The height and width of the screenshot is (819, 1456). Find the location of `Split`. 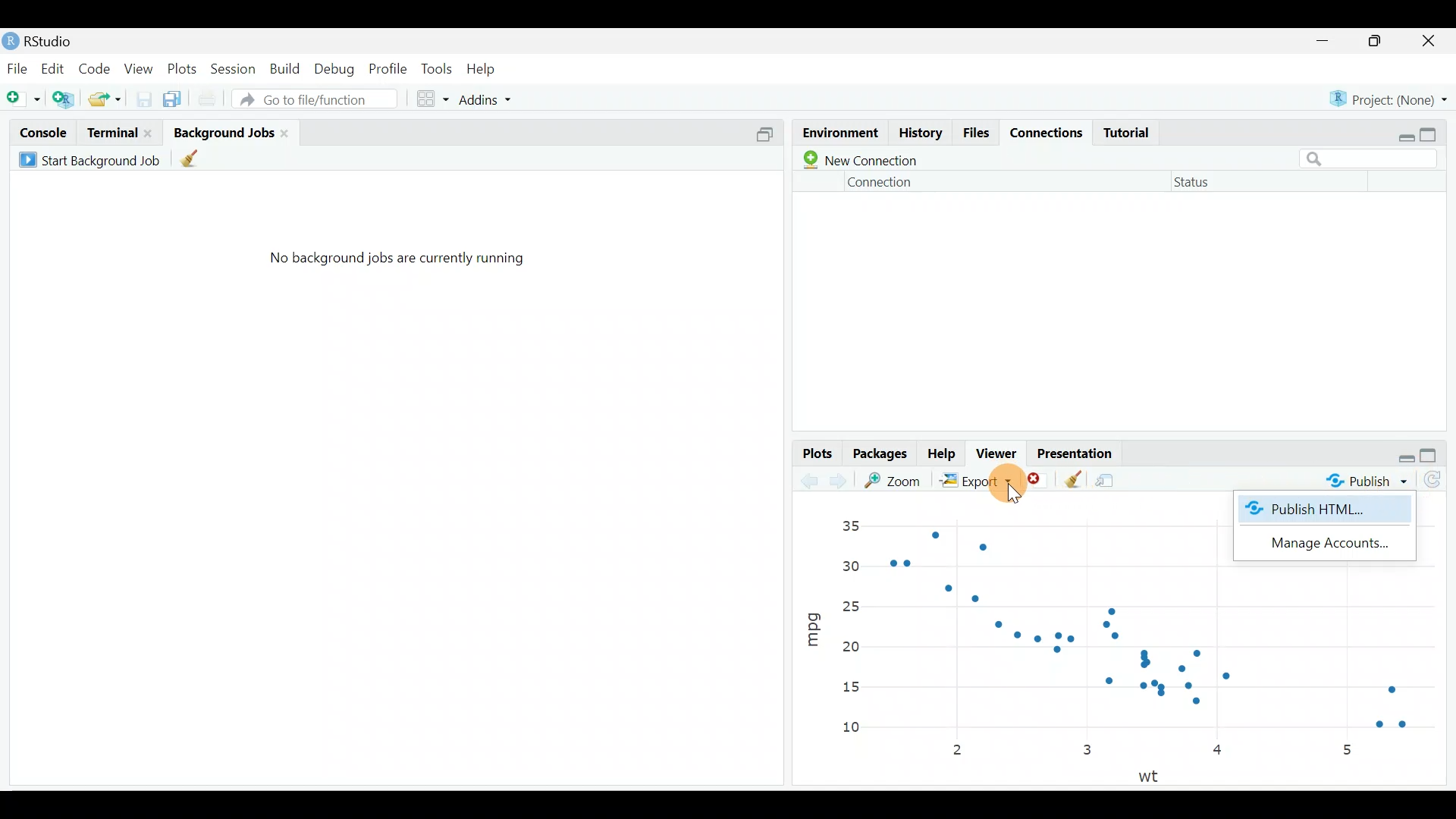

Split is located at coordinates (764, 137).